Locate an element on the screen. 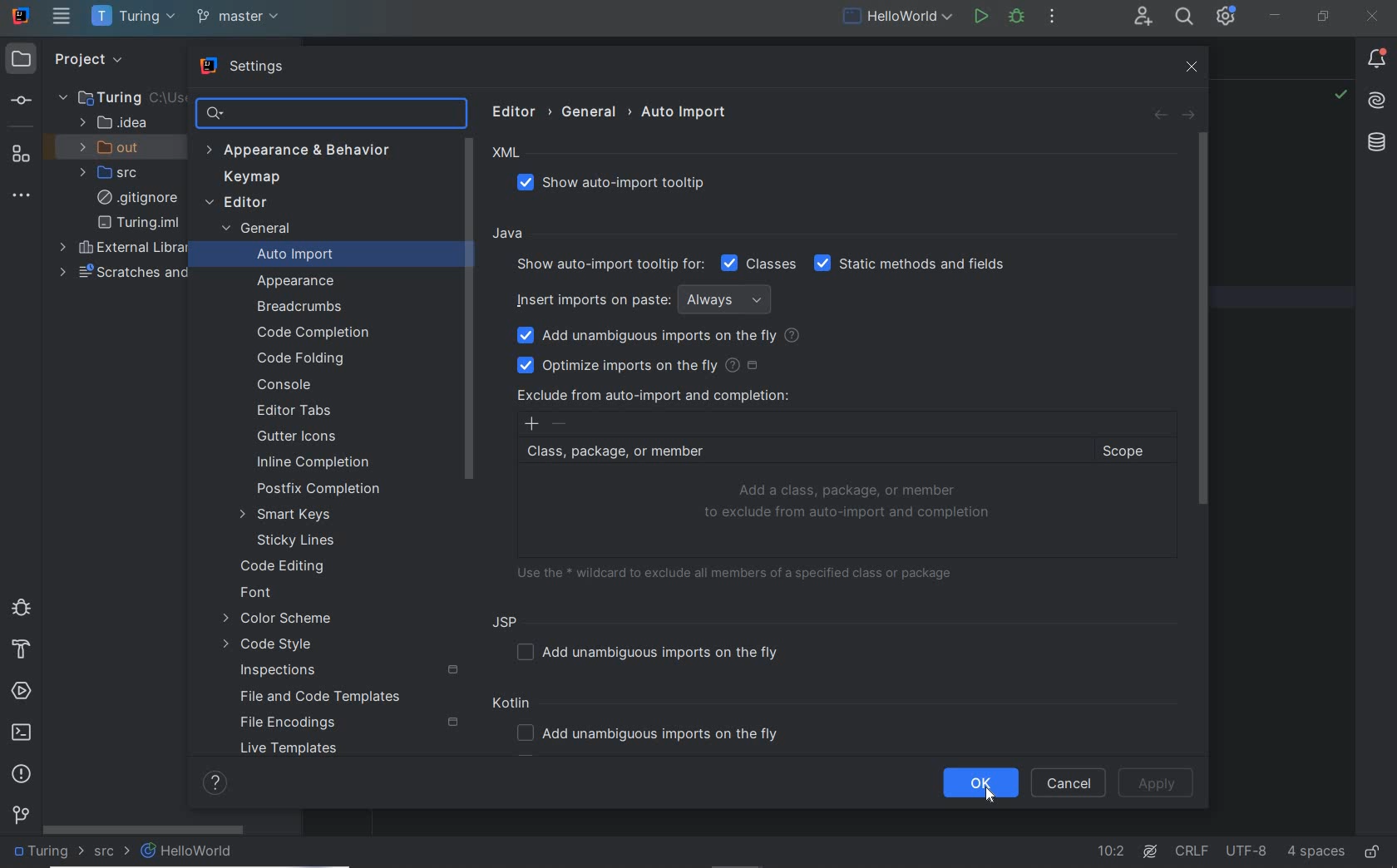 The height and width of the screenshot is (868, 1397). Scrollbar is located at coordinates (469, 307).